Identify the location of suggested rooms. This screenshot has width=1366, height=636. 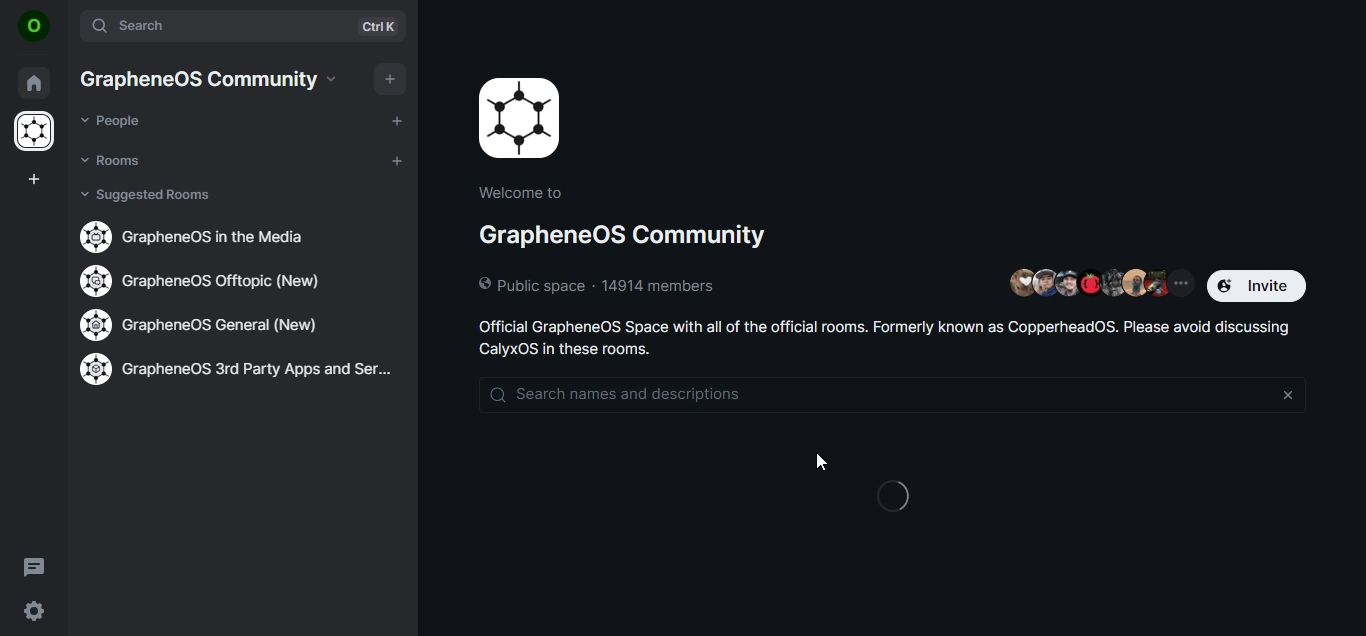
(149, 195).